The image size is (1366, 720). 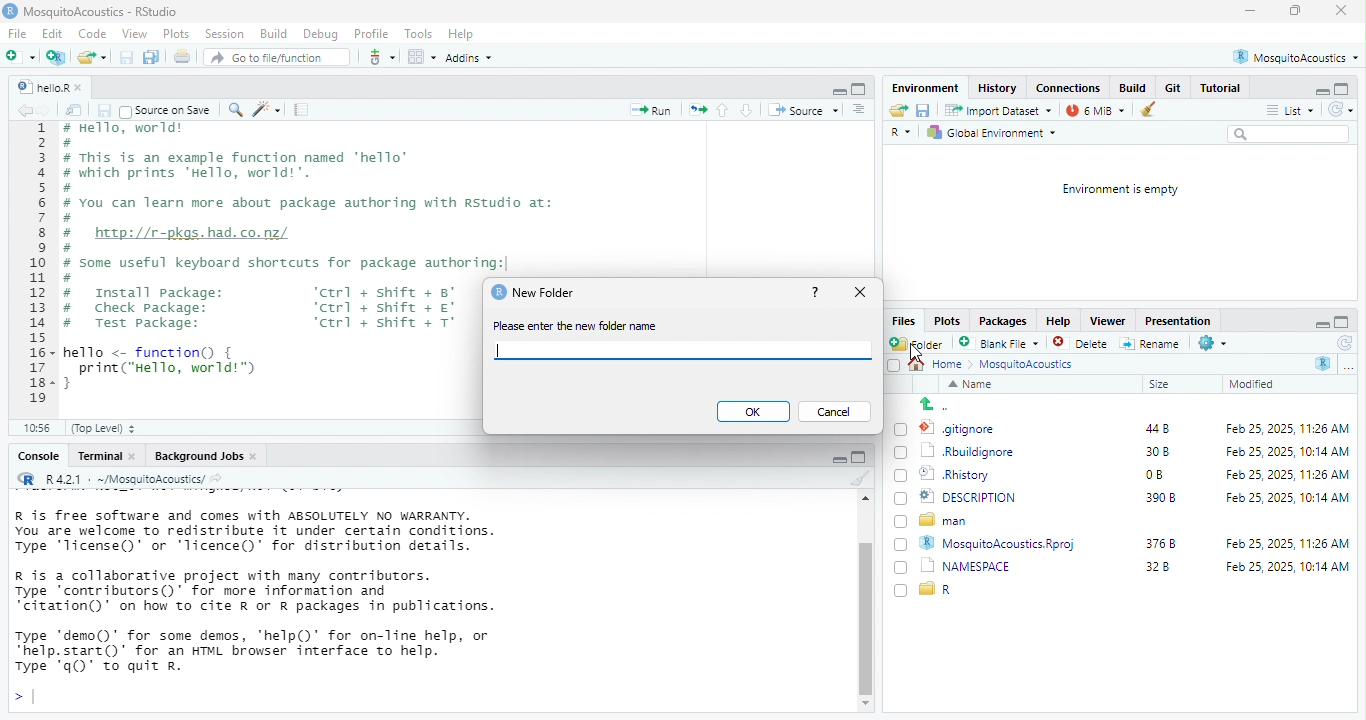 What do you see at coordinates (1320, 322) in the screenshot?
I see `hide r script` at bounding box center [1320, 322].